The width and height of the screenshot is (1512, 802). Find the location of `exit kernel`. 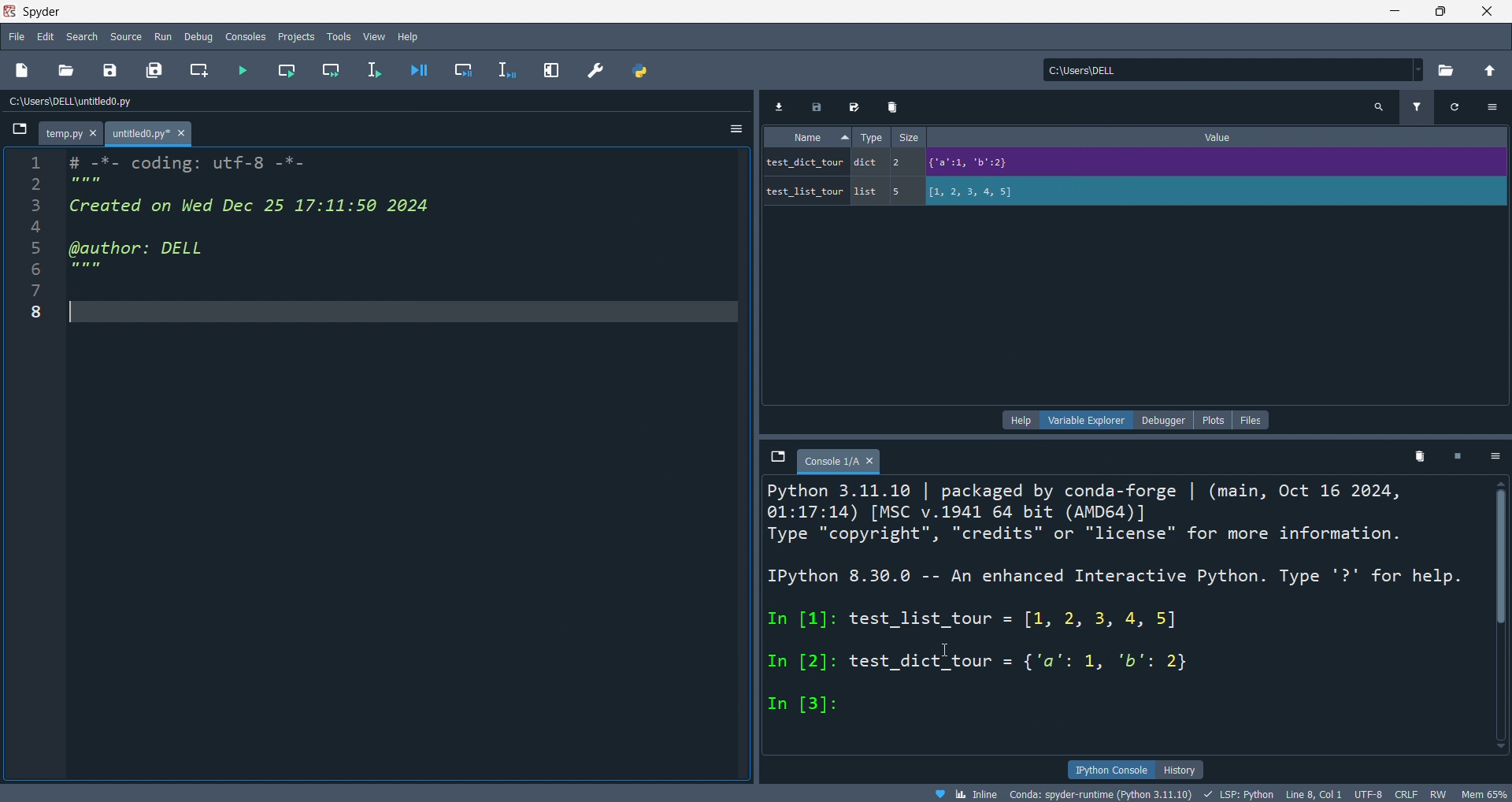

exit kernel is located at coordinates (1459, 456).